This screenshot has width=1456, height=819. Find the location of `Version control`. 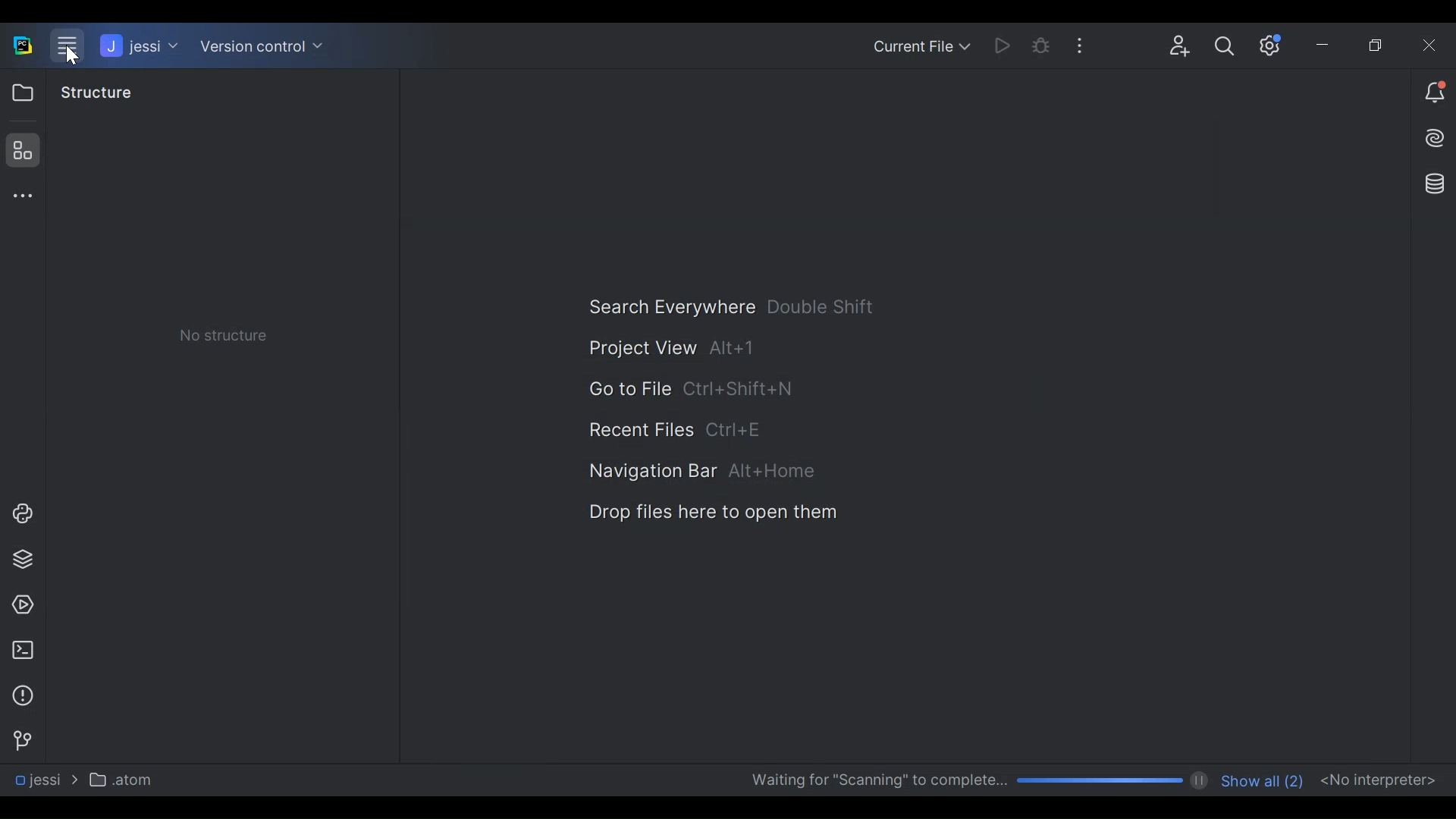

Version control is located at coordinates (236, 45).